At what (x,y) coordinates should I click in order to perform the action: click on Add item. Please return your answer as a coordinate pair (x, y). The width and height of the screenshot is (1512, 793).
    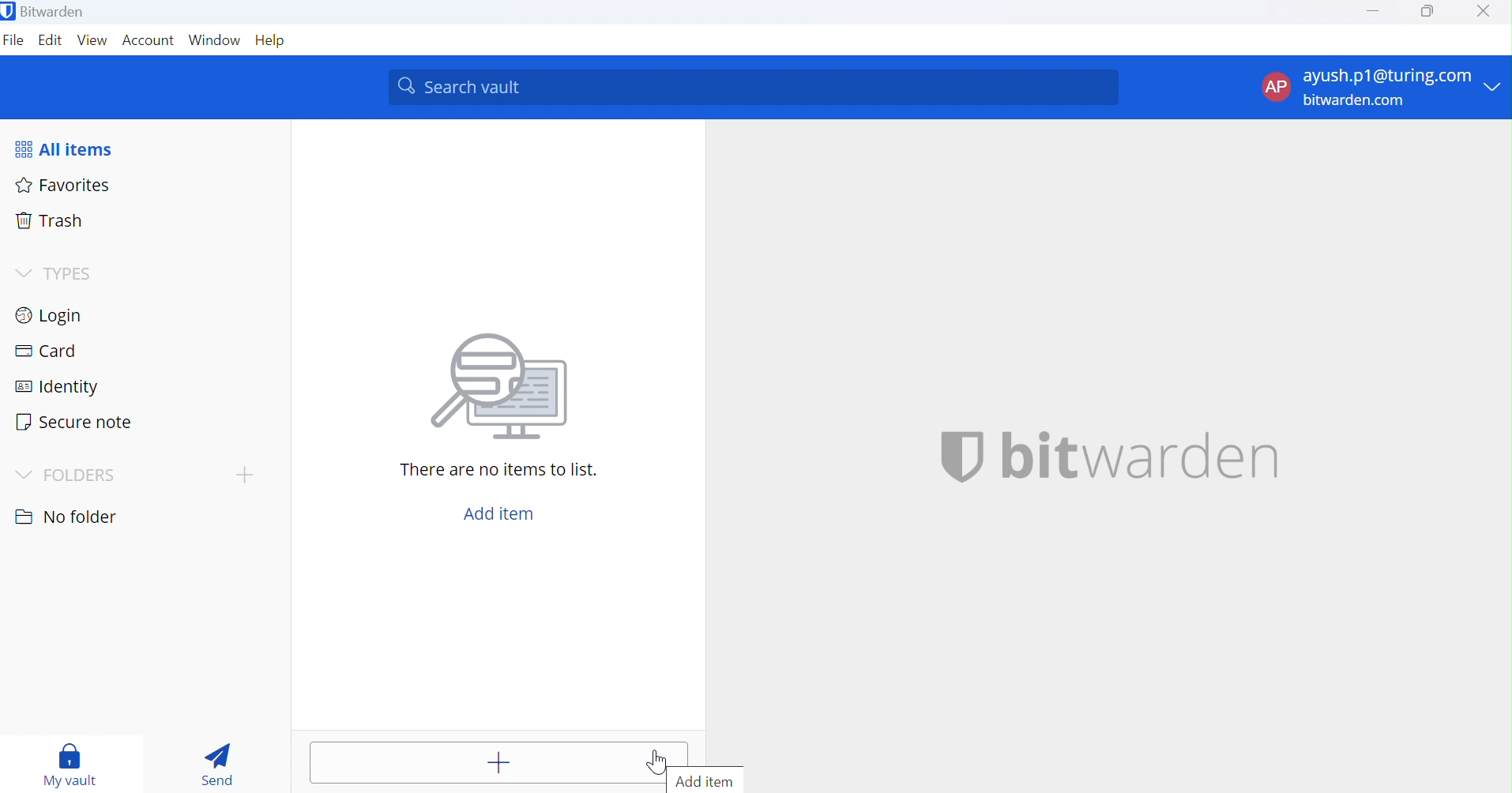
    Looking at the image, I should click on (497, 514).